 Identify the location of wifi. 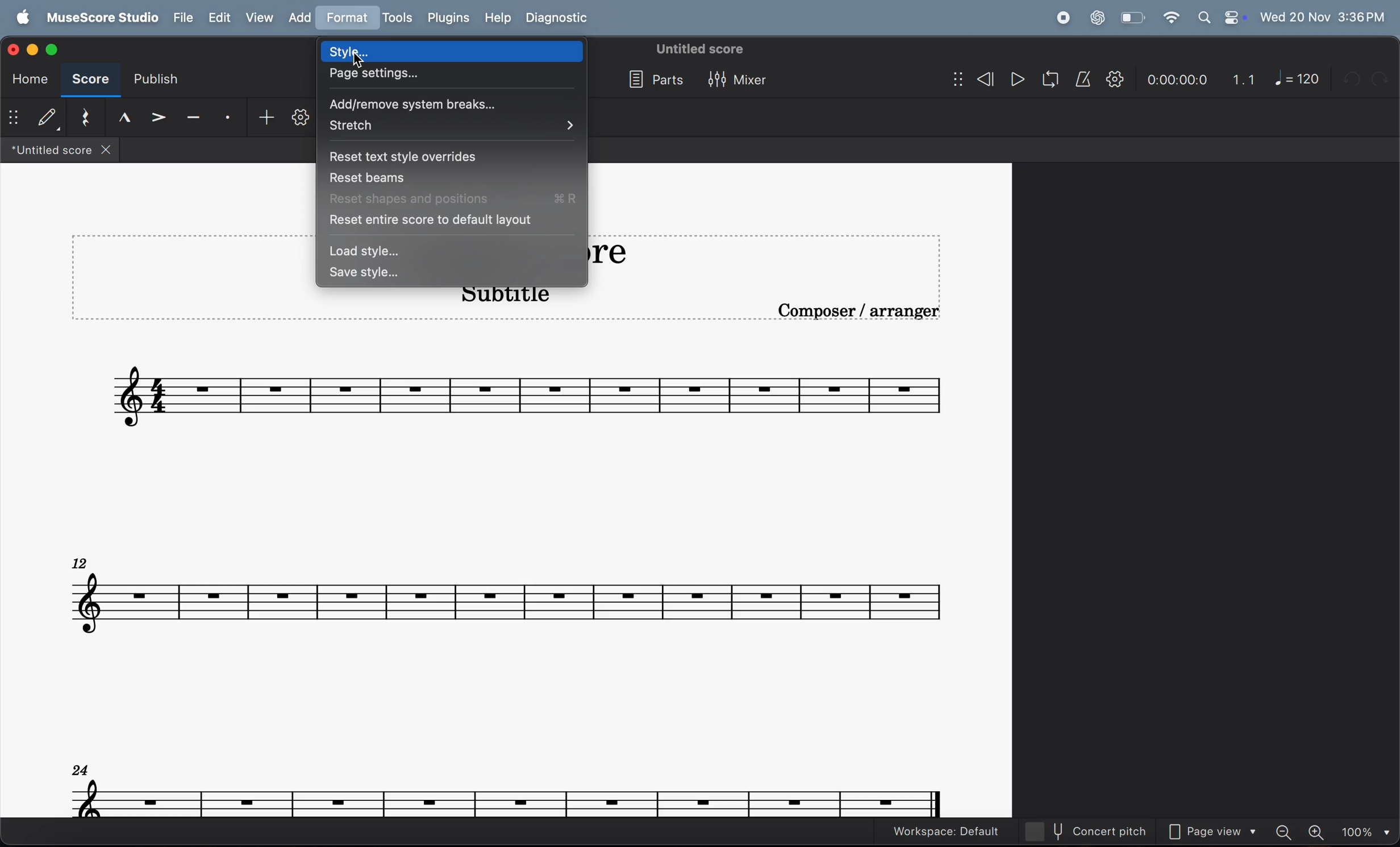
(1170, 18).